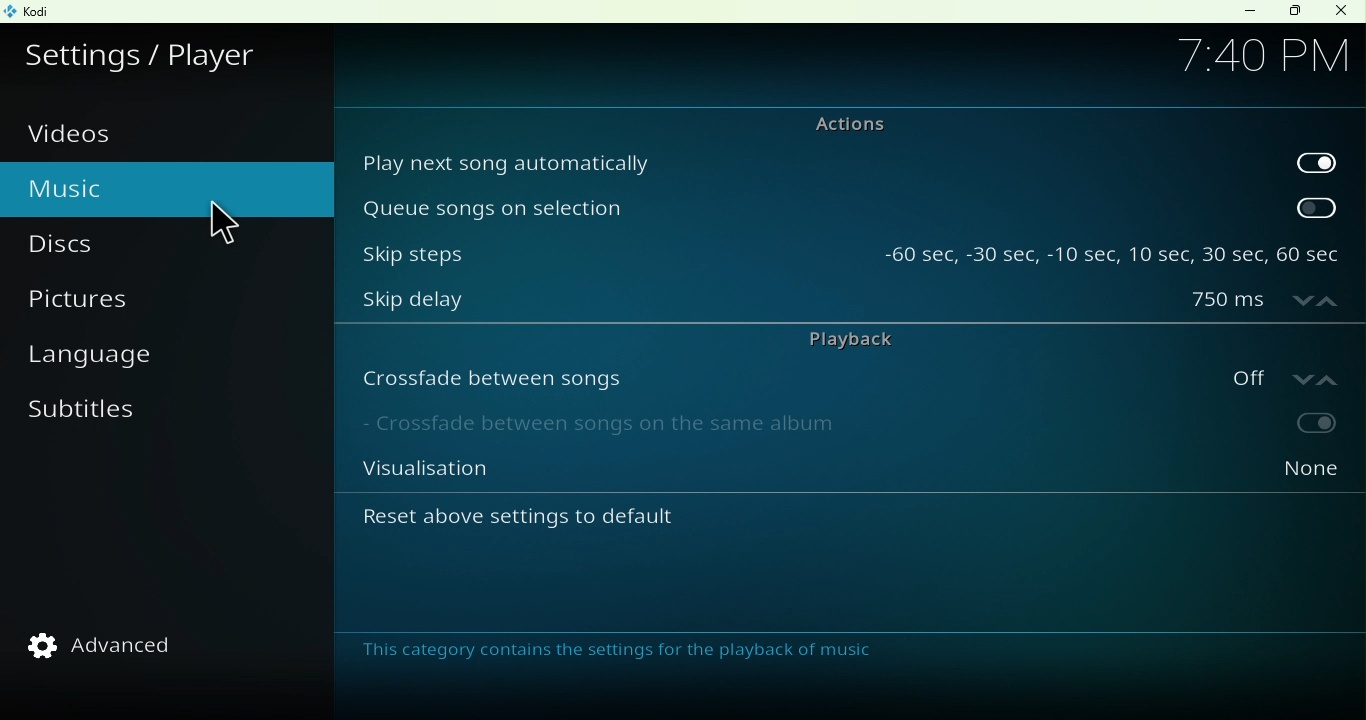 This screenshot has width=1366, height=720. I want to click on toggle, so click(1318, 207).